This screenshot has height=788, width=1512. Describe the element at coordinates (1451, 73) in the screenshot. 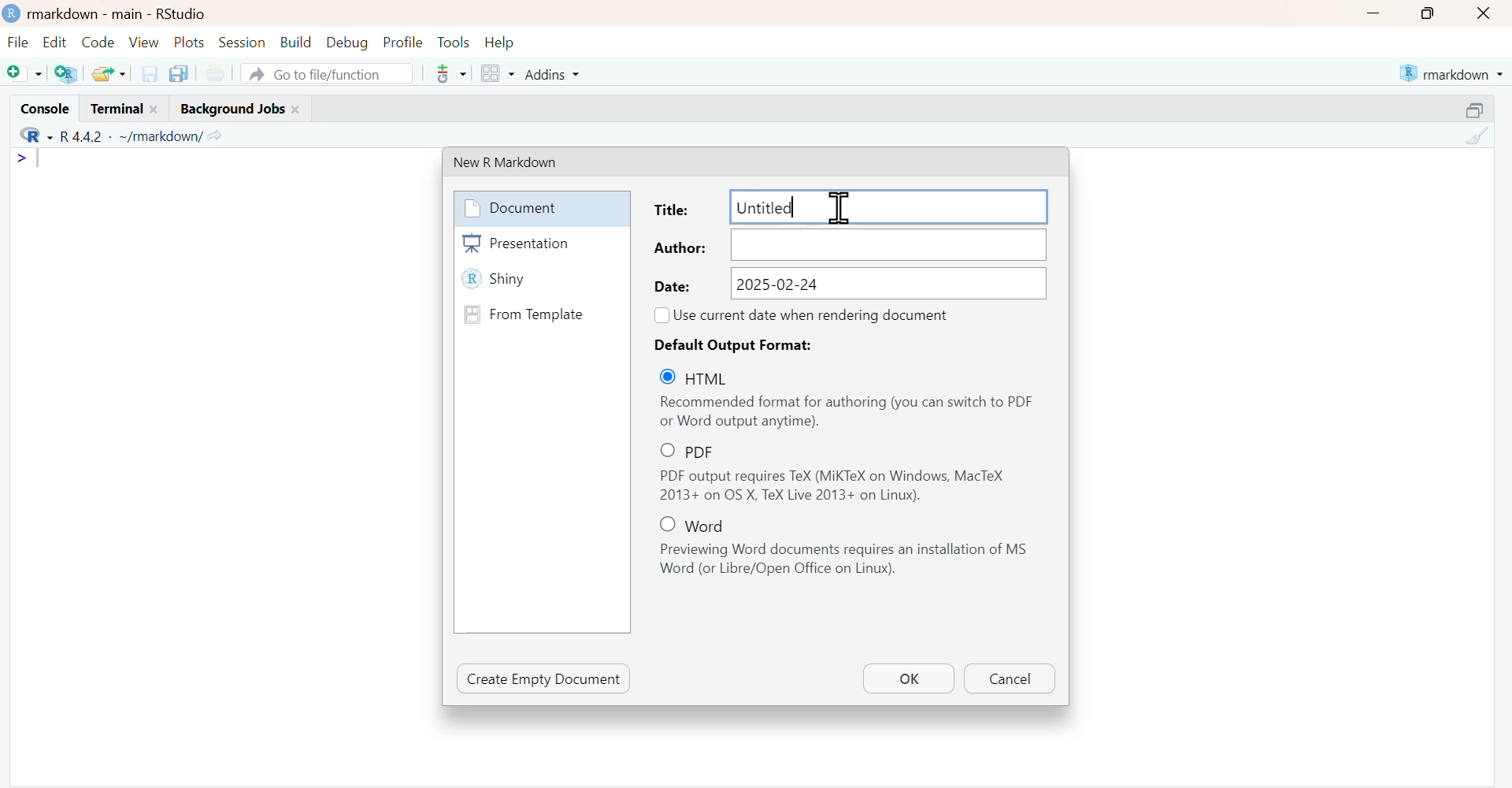

I see `current project - rmarkdown` at that location.